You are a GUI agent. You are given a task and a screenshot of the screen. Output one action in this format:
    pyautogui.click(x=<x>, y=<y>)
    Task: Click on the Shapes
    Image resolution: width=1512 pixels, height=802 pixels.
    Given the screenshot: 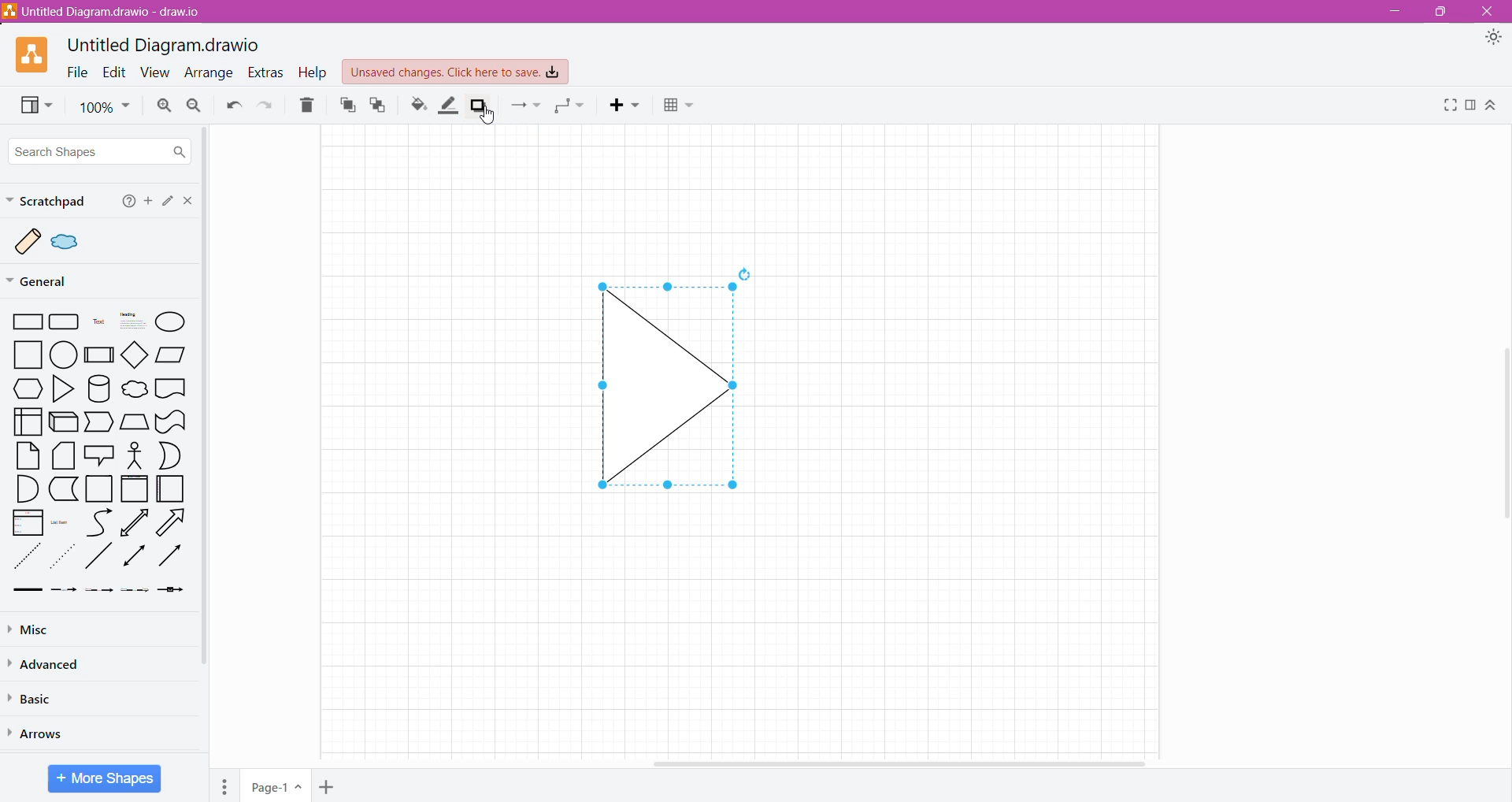 What is the action you would take?
    pyautogui.click(x=102, y=455)
    